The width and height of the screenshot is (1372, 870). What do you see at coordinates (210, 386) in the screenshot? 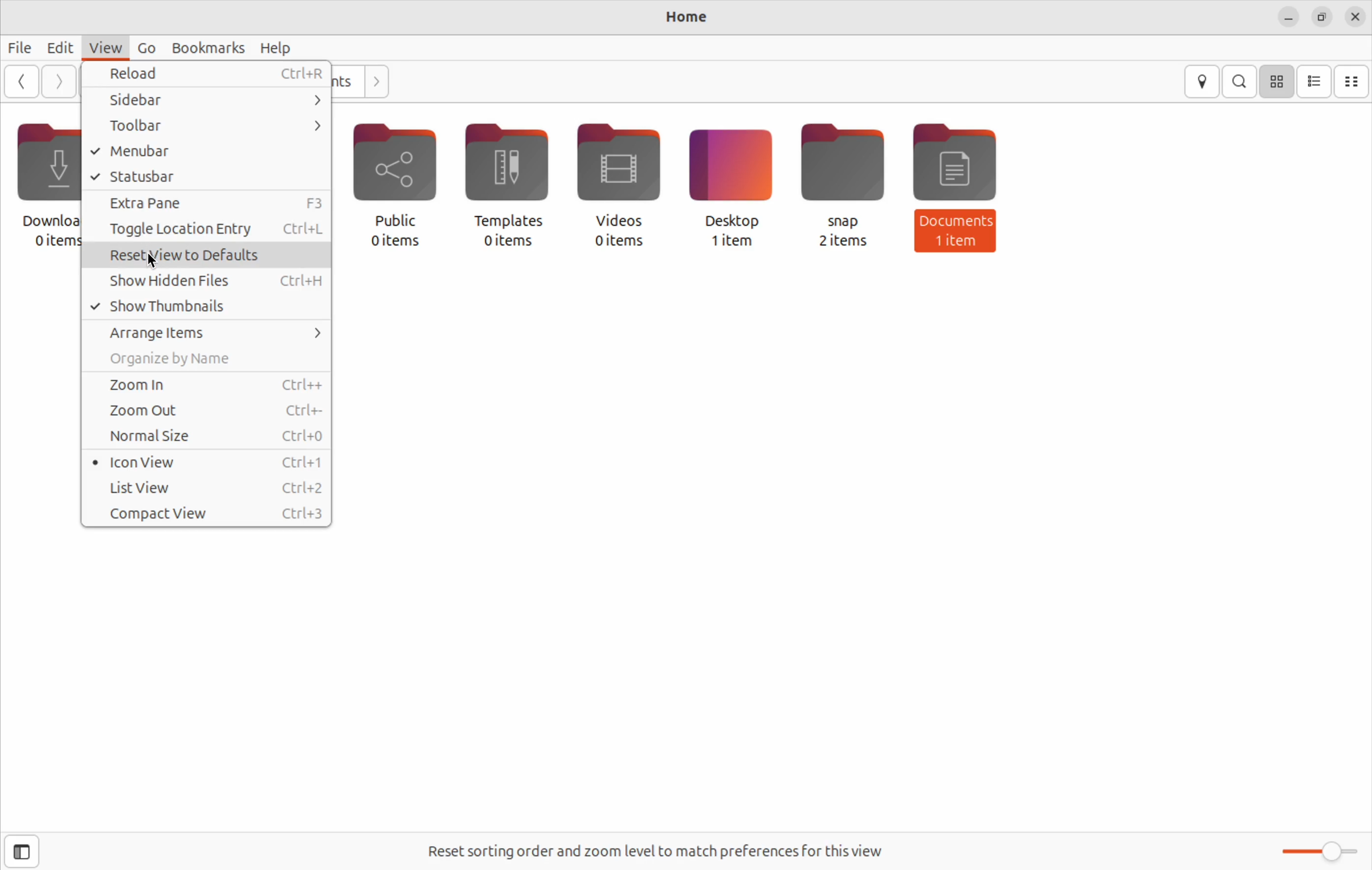
I see `Zoom In` at bounding box center [210, 386].